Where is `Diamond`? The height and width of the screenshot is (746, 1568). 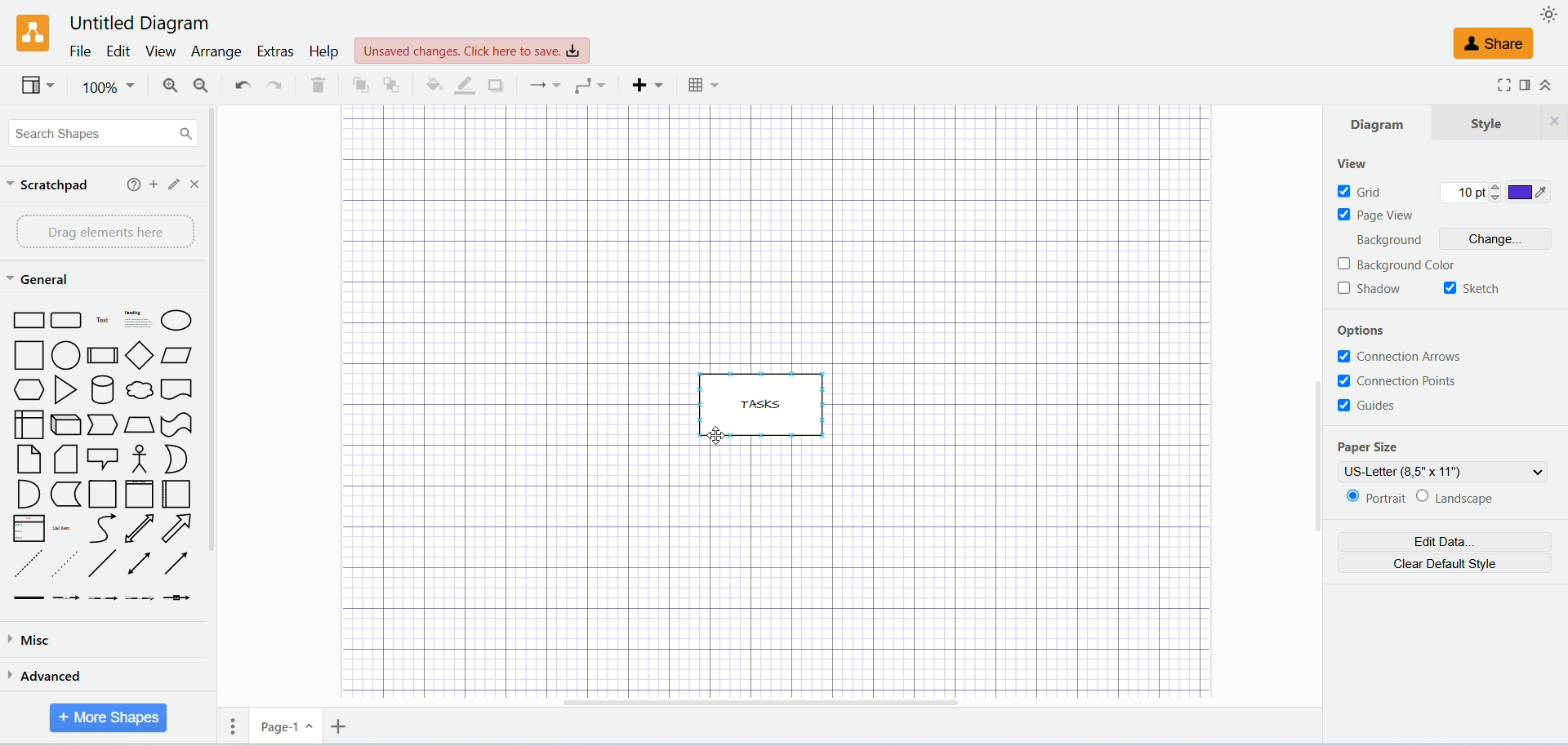
Diamond is located at coordinates (139, 355).